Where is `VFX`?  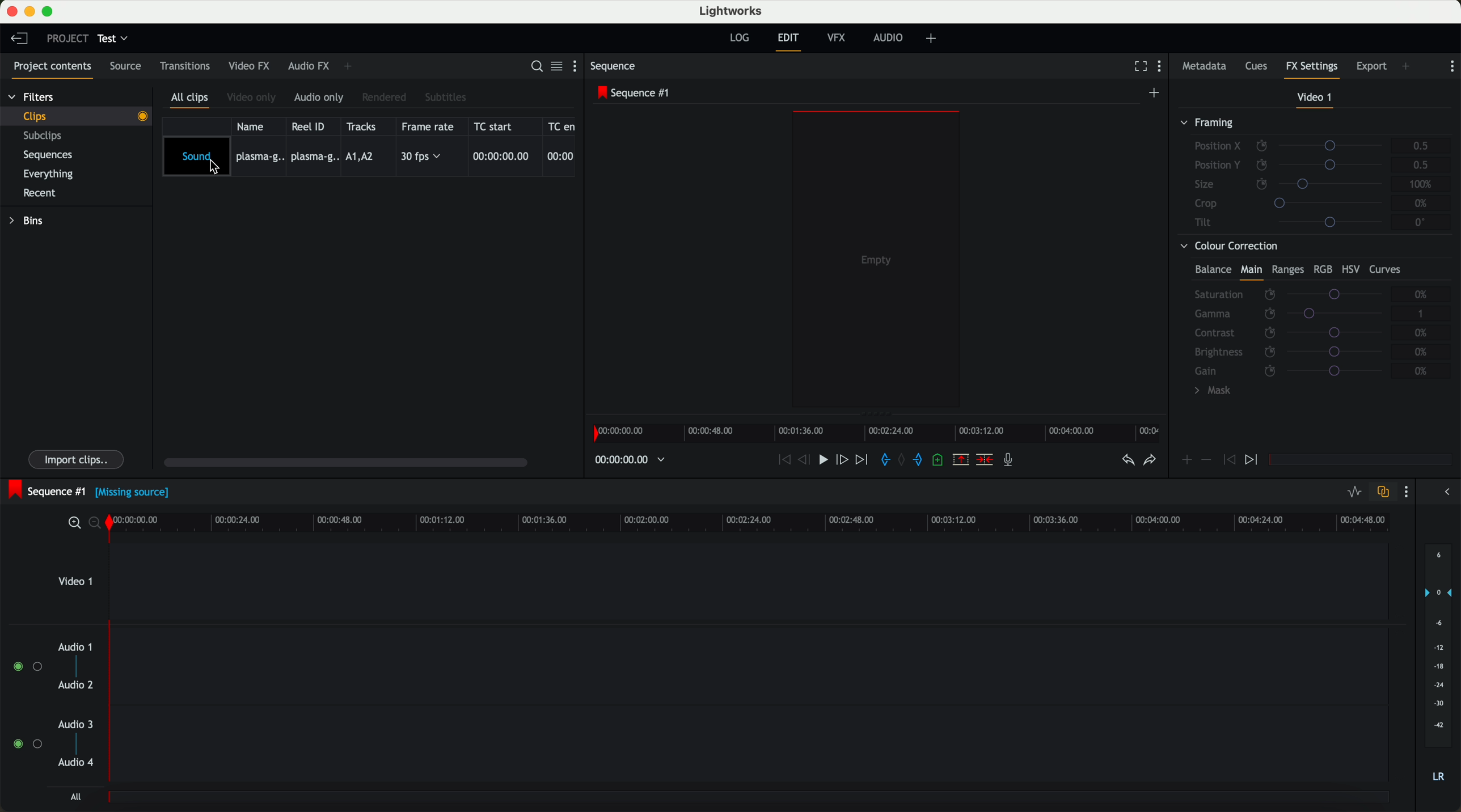 VFX is located at coordinates (839, 40).